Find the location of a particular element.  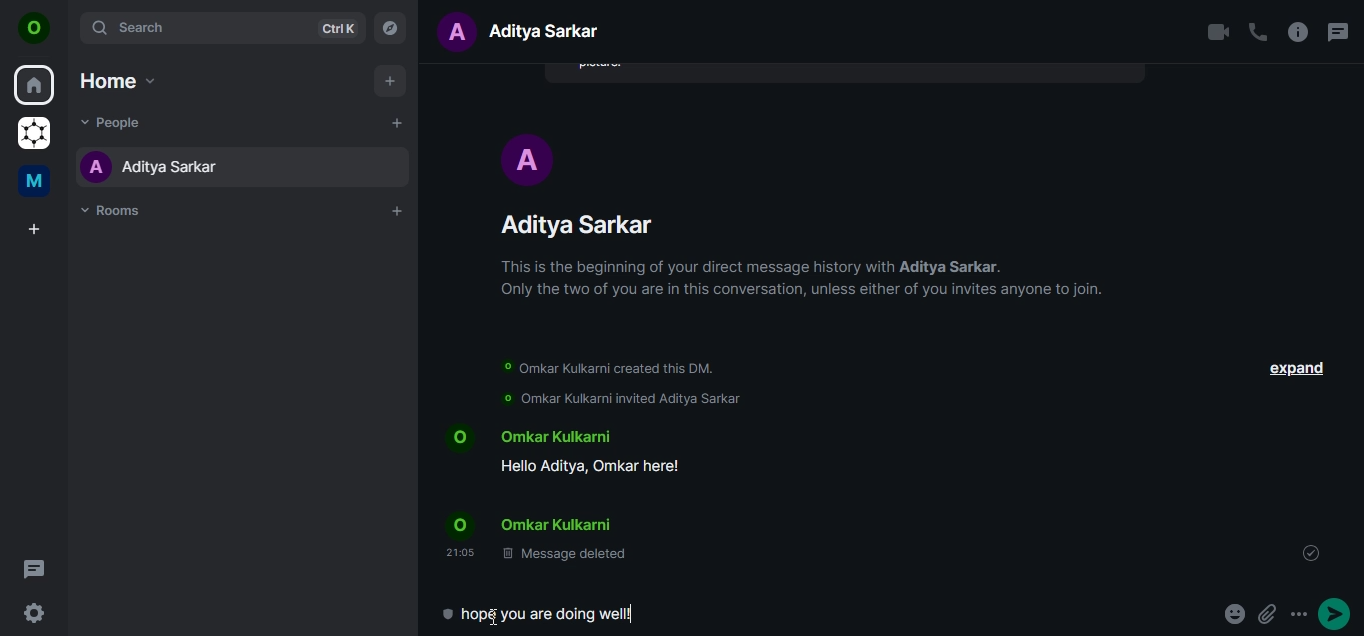

threads is located at coordinates (38, 570).